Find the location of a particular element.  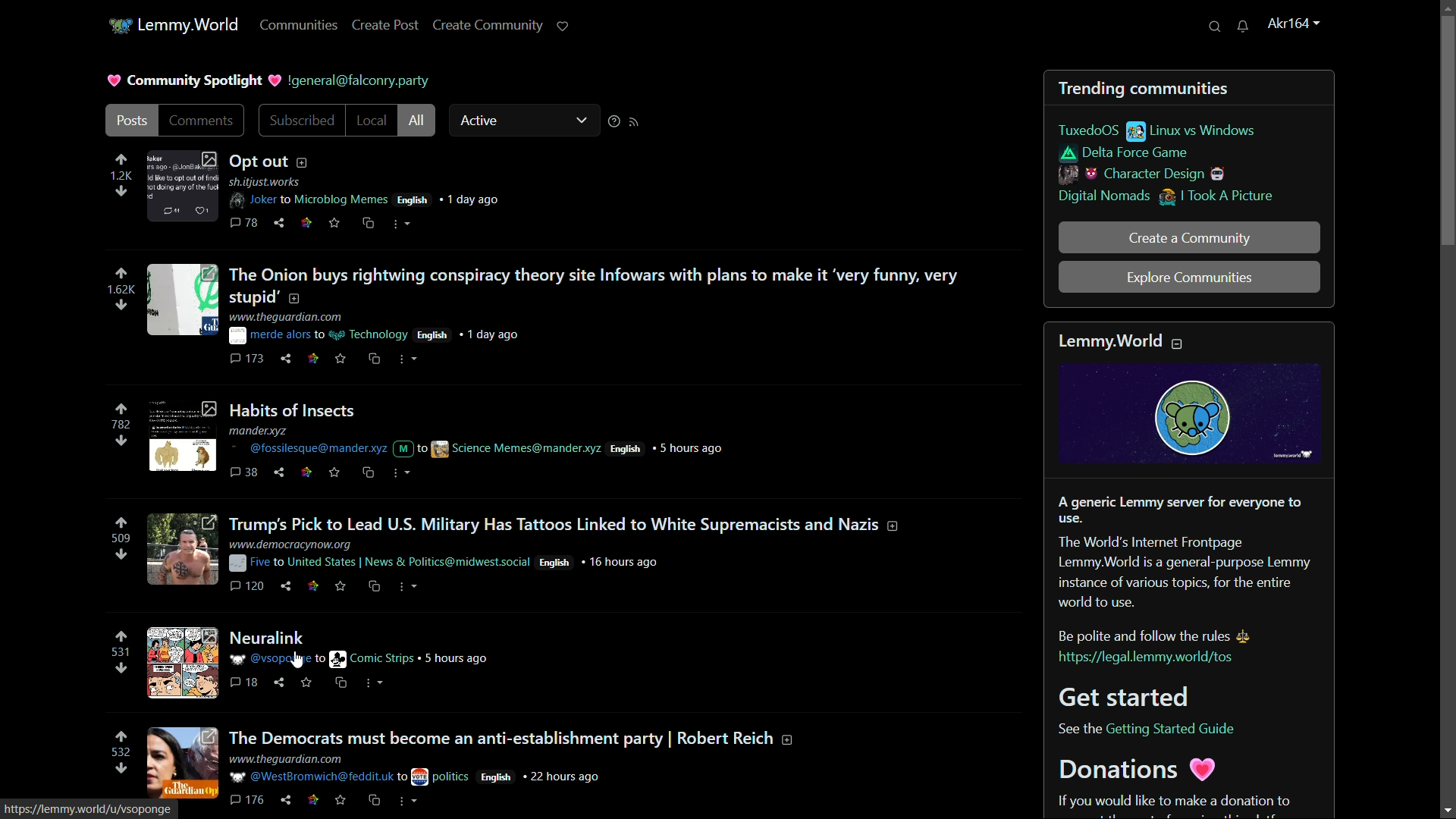

cs is located at coordinates (370, 472).